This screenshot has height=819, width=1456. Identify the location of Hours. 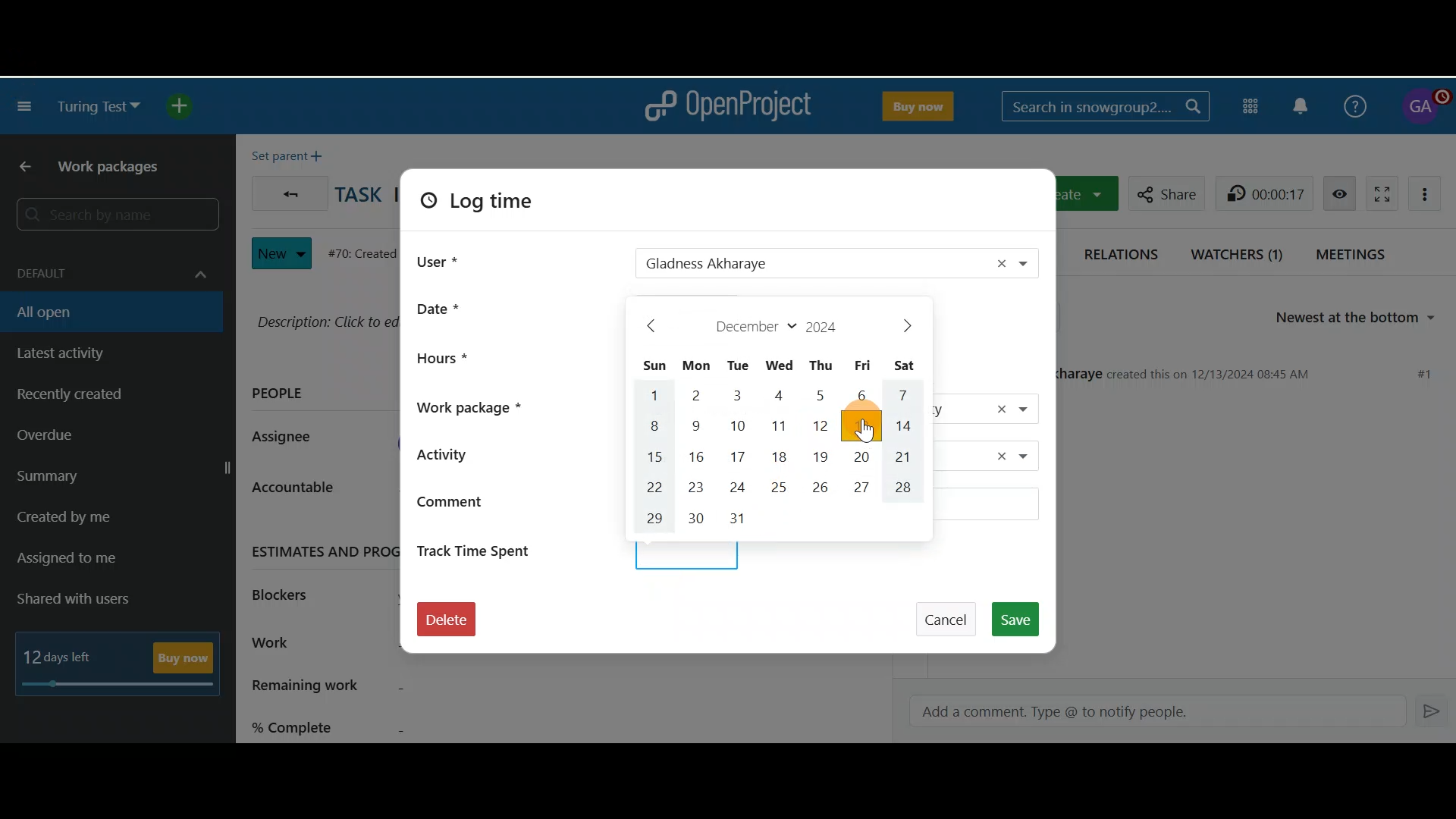
(441, 357).